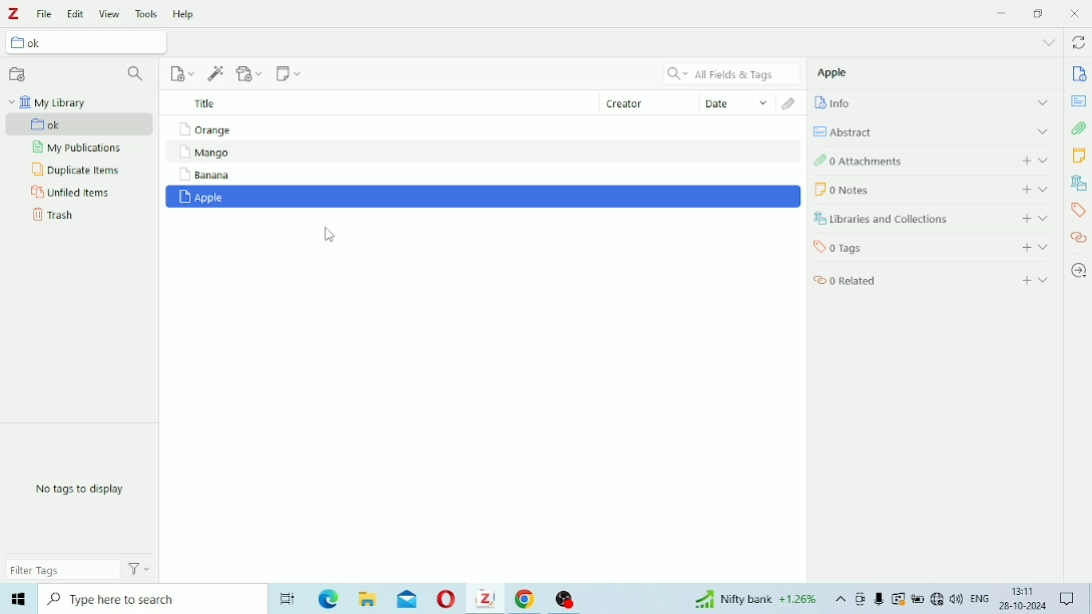 This screenshot has width=1092, height=614. Describe the element at coordinates (18, 73) in the screenshot. I see `New collection` at that location.